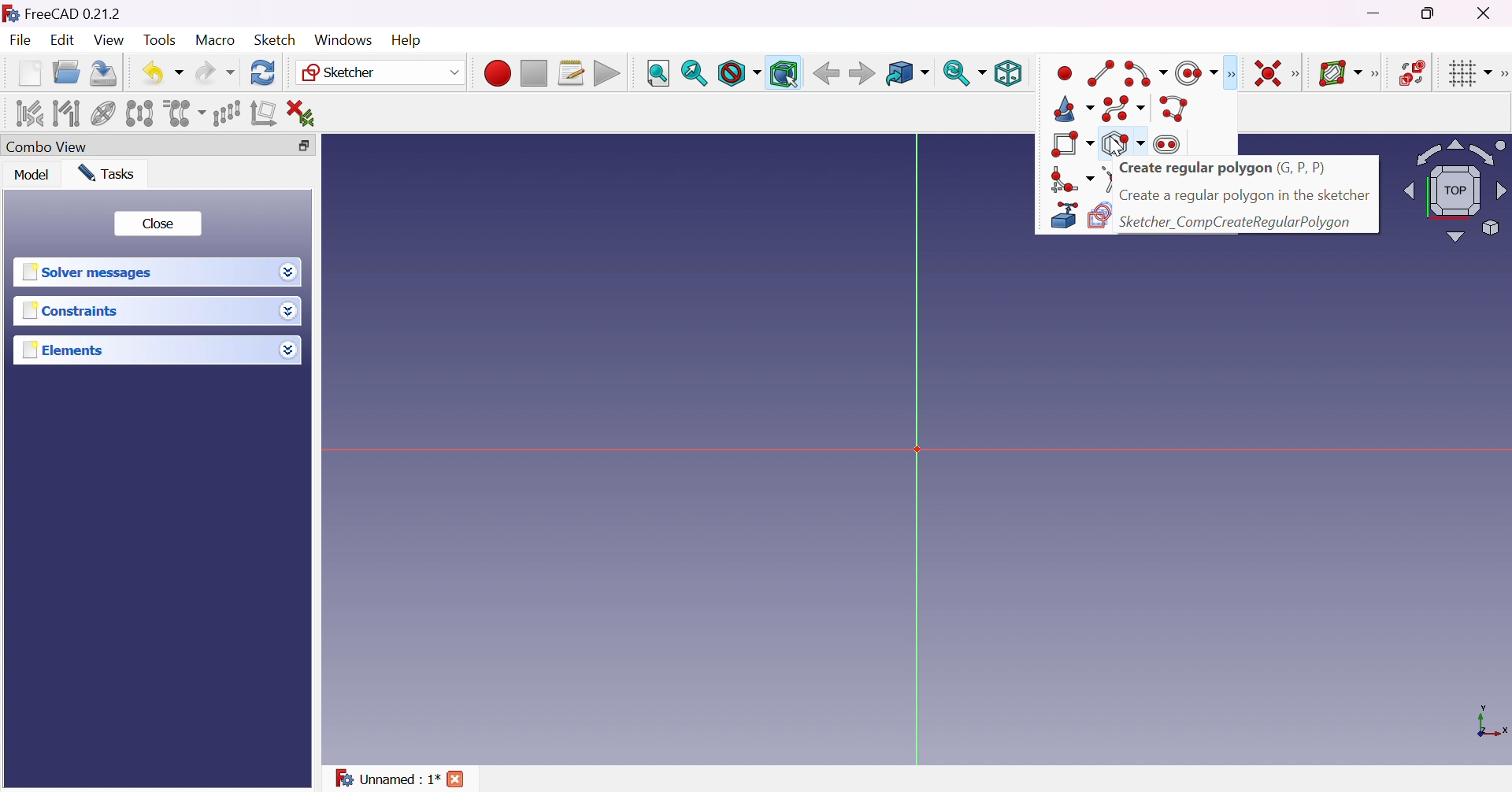  I want to click on What's this?, so click(1086, 72).